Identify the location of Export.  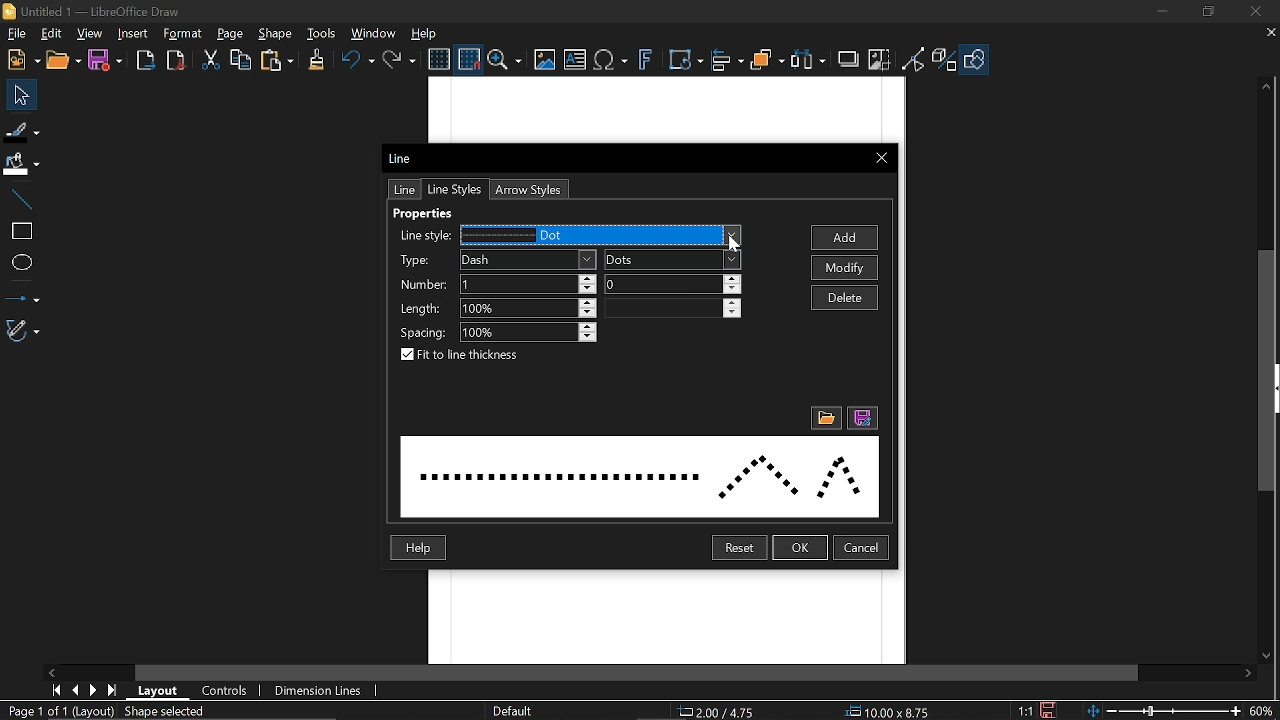
(146, 62).